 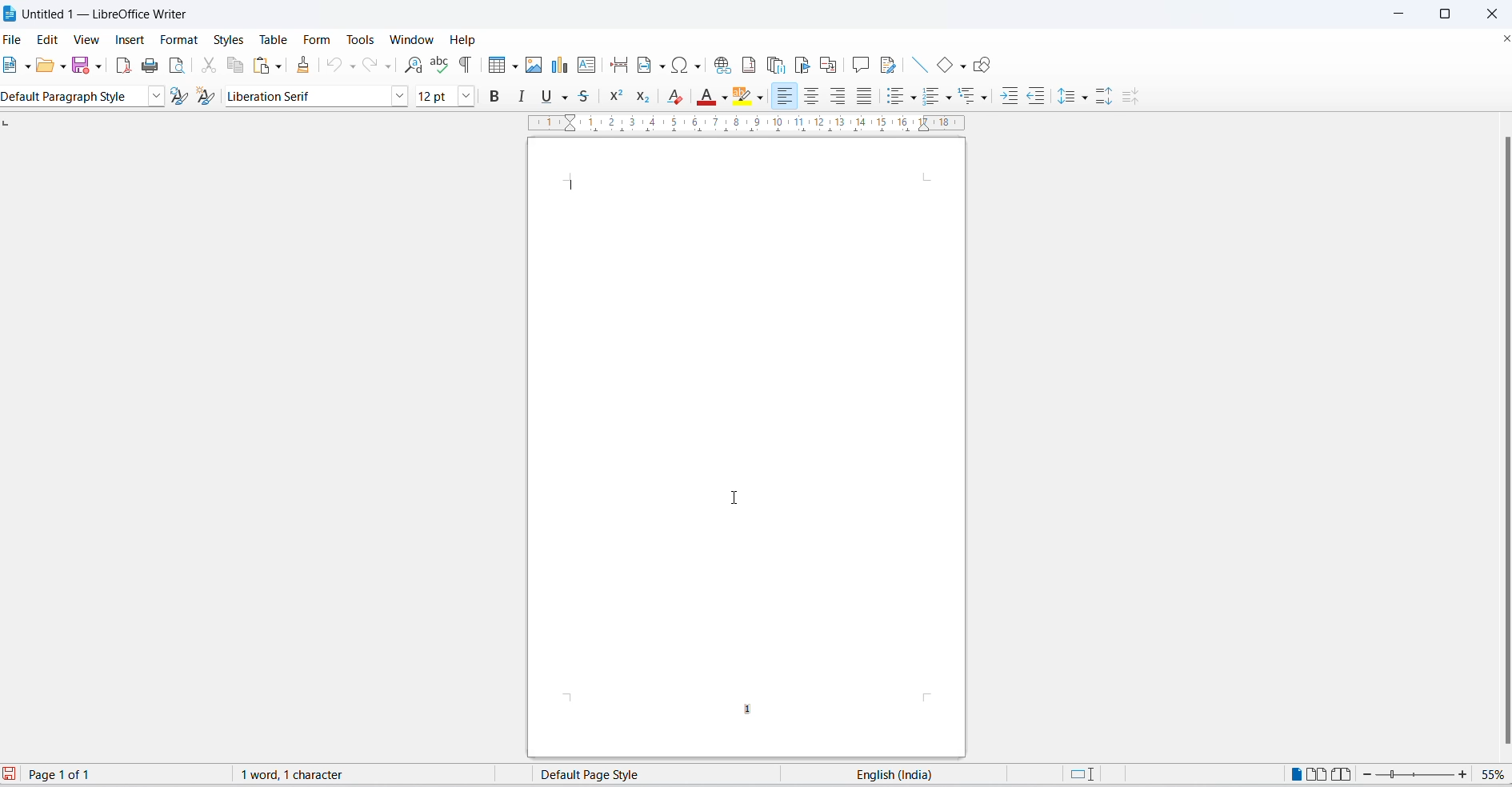 What do you see at coordinates (1292, 774) in the screenshot?
I see `single page view` at bounding box center [1292, 774].